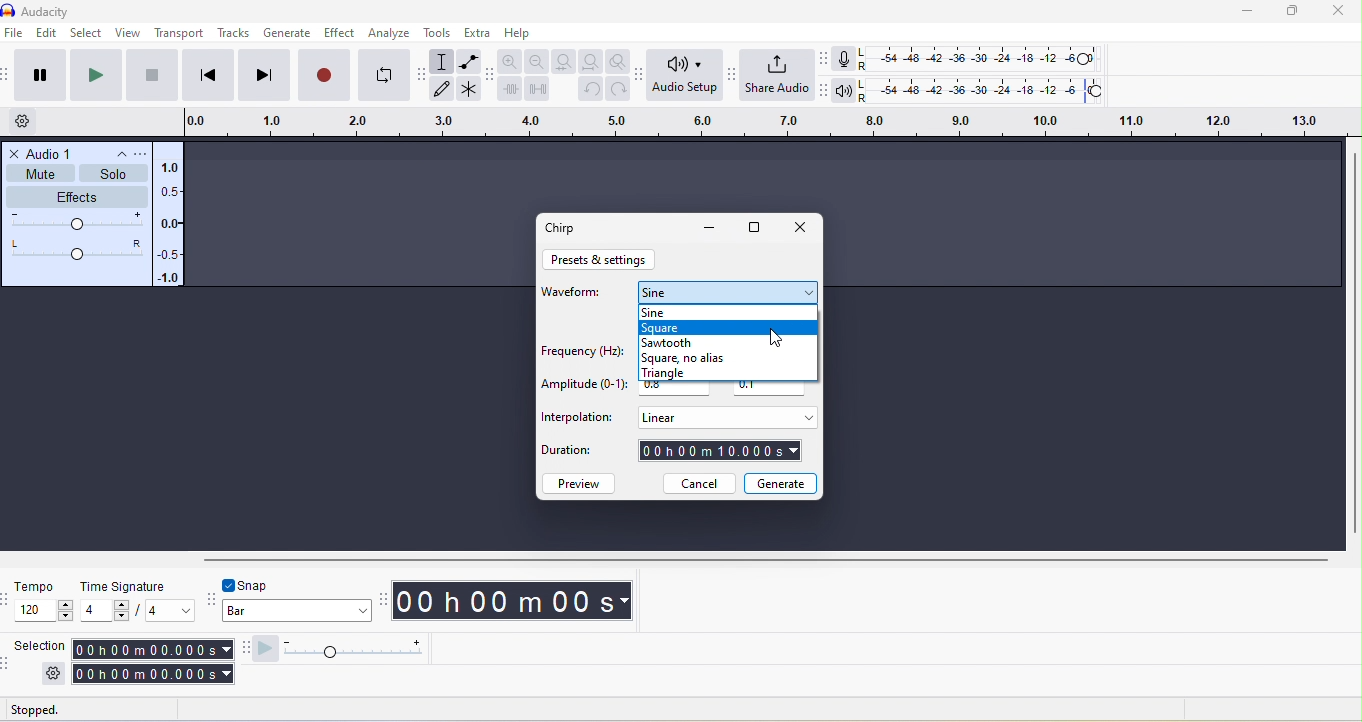 This screenshot has width=1362, height=722. Describe the element at coordinates (393, 33) in the screenshot. I see `analyze` at that location.